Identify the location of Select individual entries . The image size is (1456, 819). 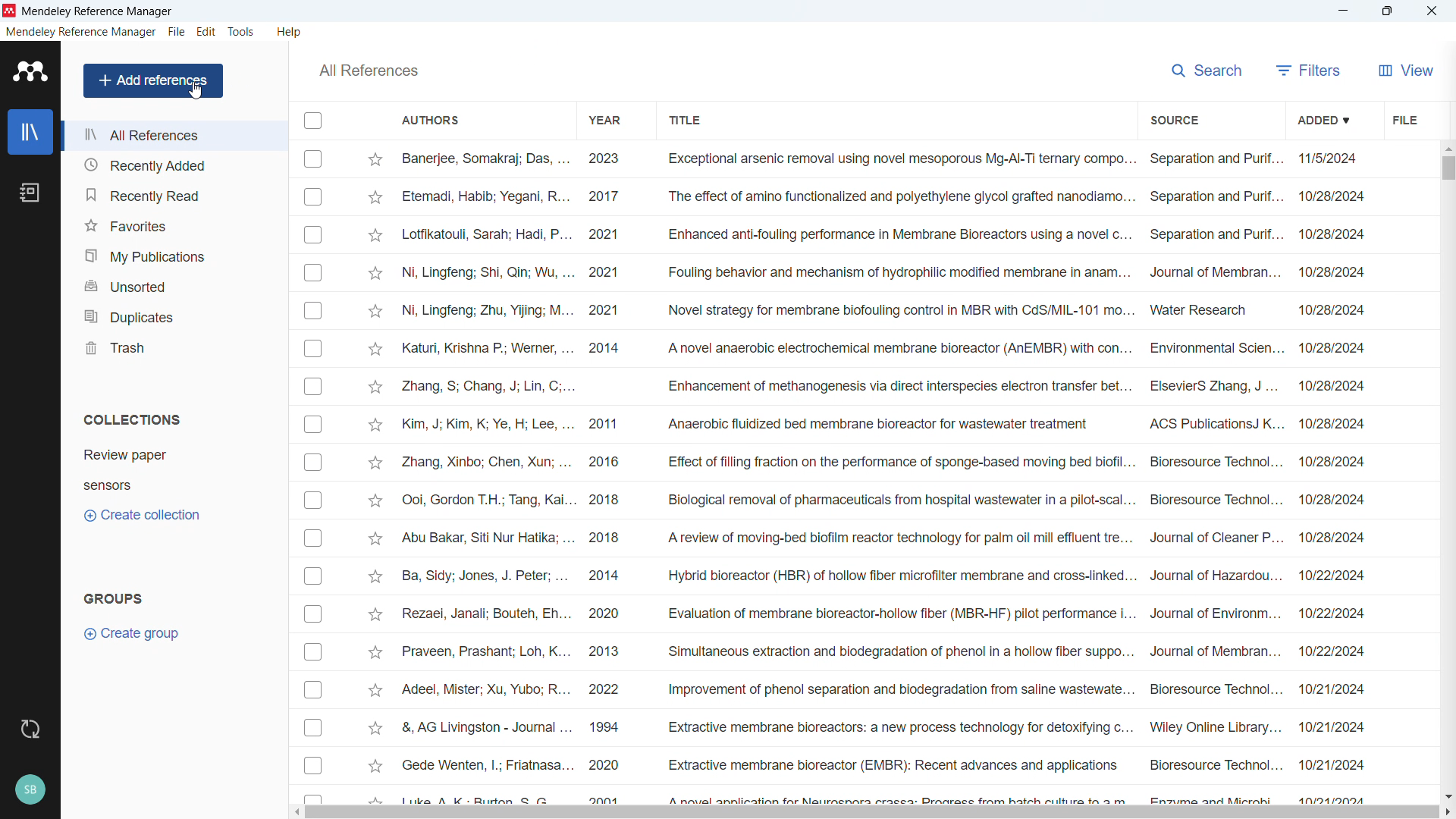
(312, 473).